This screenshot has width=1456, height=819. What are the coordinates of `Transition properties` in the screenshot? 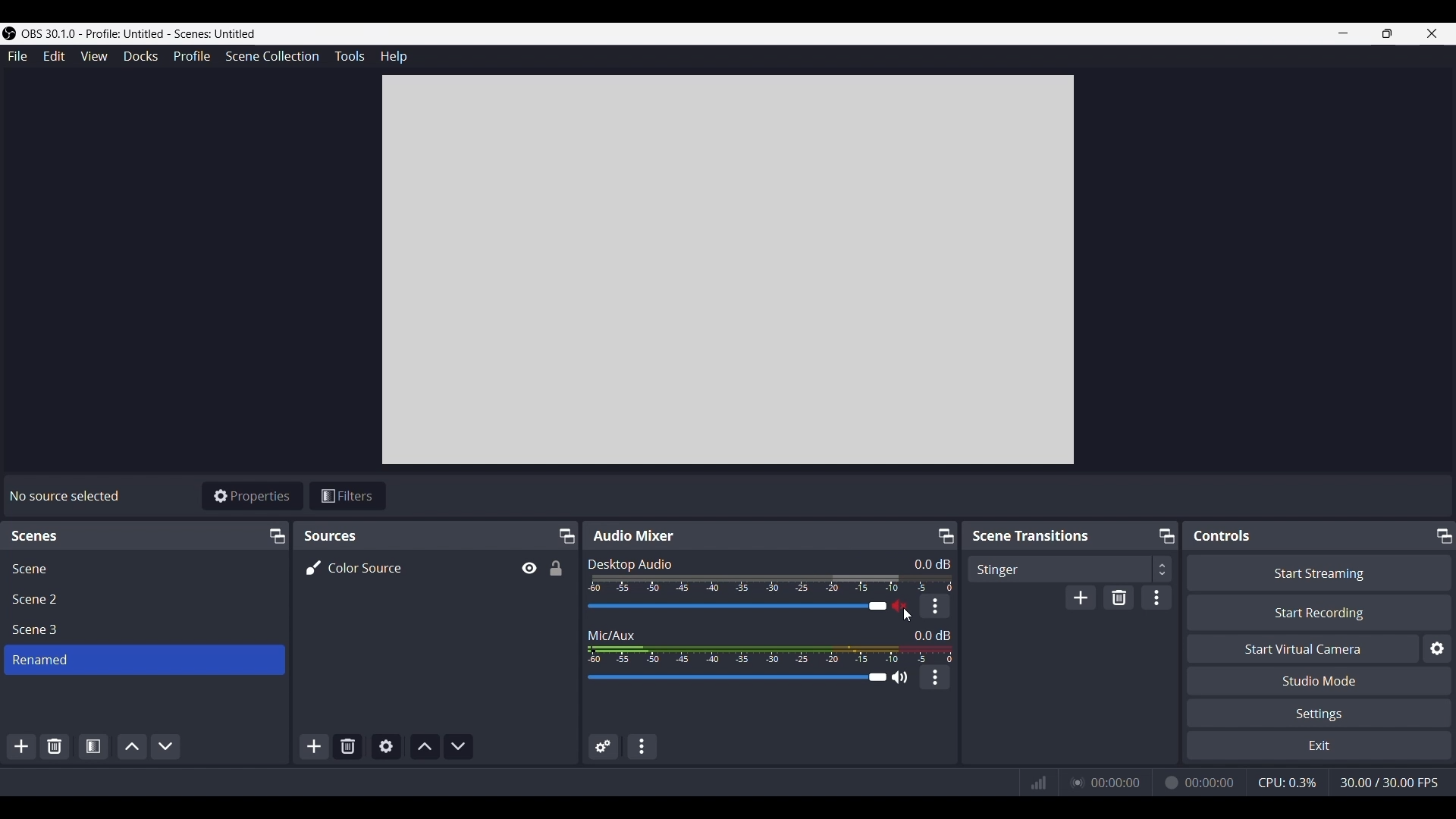 It's located at (1156, 598).